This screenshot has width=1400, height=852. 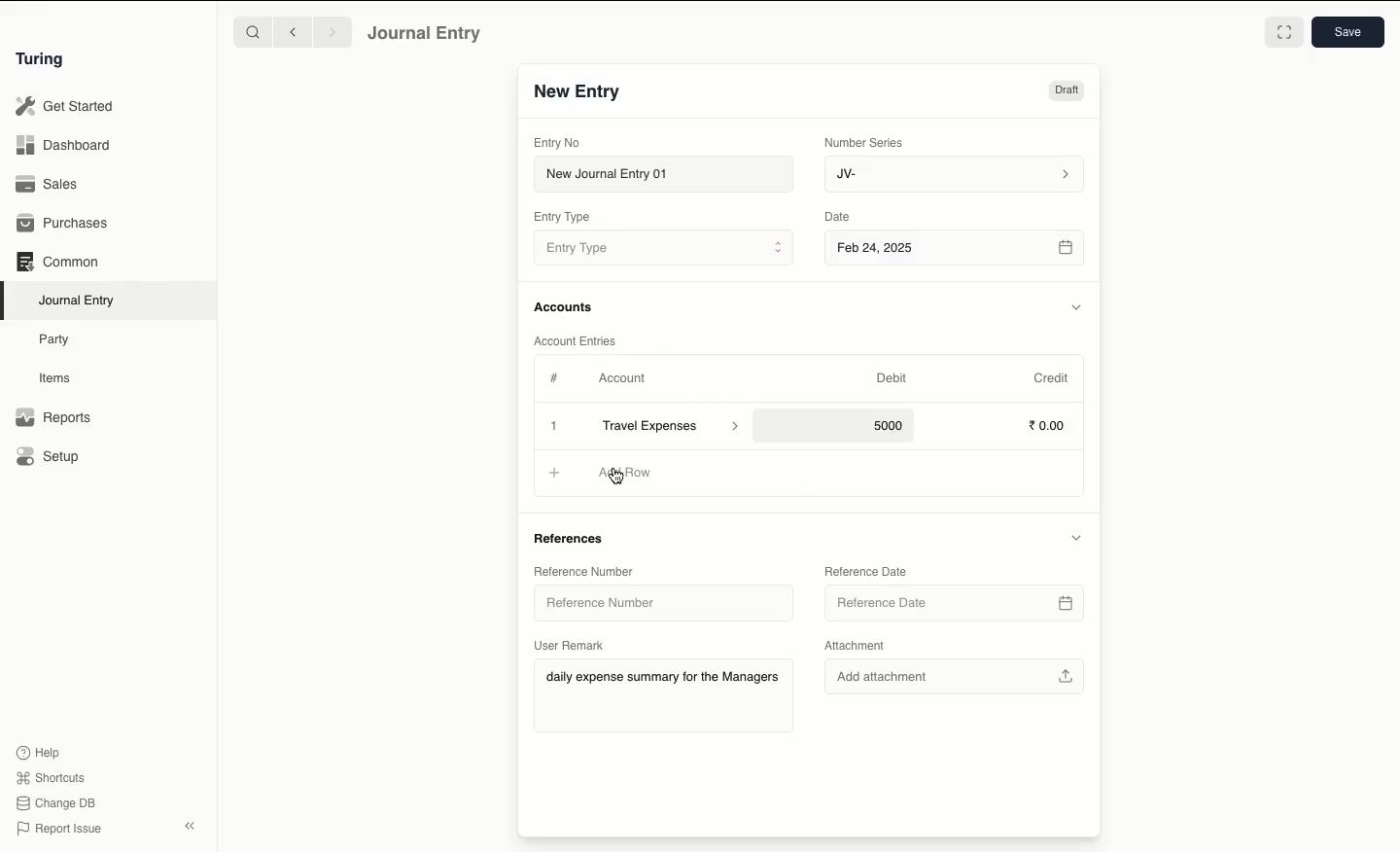 What do you see at coordinates (887, 424) in the screenshot?
I see `5000` at bounding box center [887, 424].